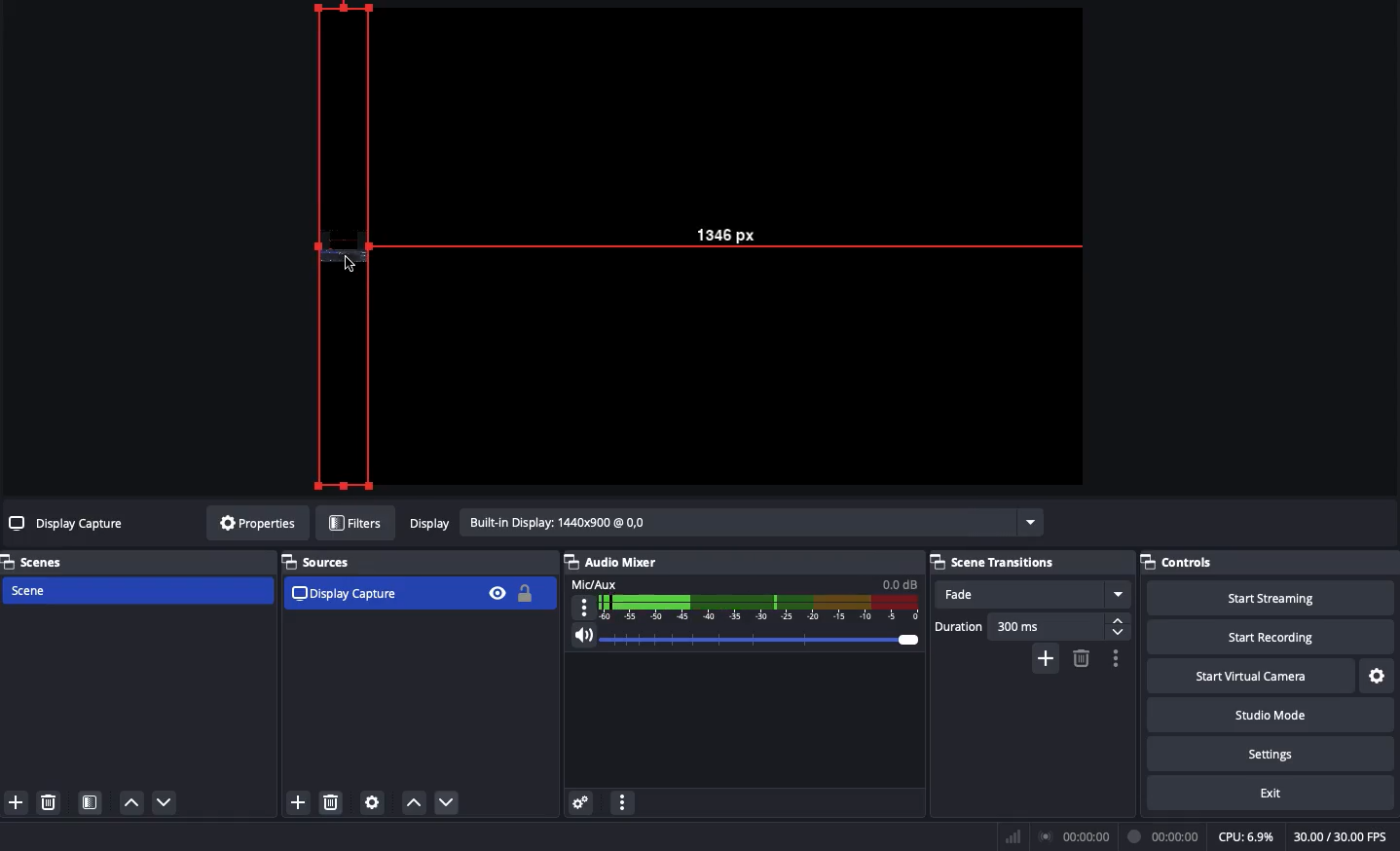 This screenshot has width=1400, height=851. Describe the element at coordinates (350, 246) in the screenshot. I see `Drag` at that location.